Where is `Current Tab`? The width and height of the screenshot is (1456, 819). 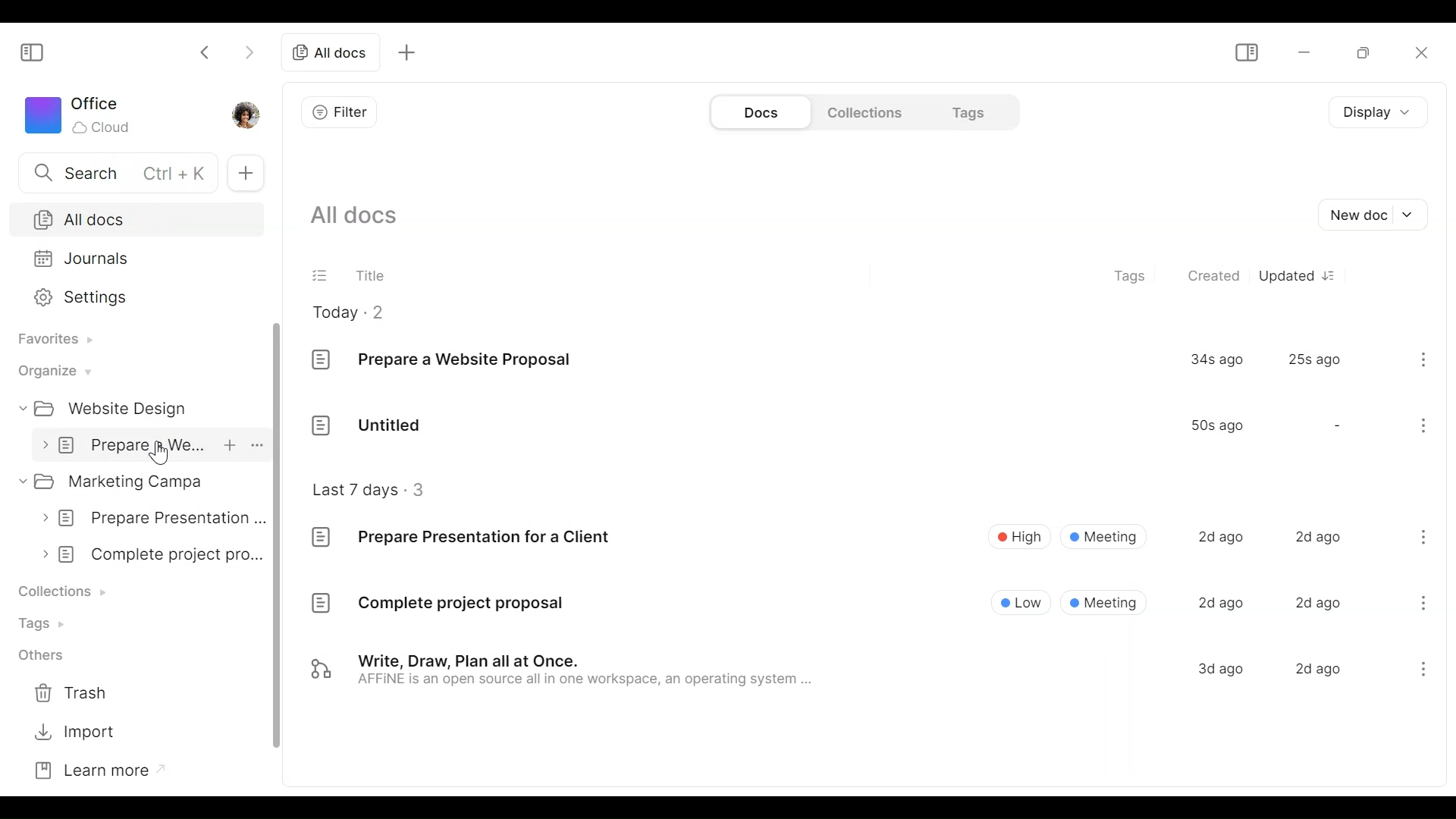
Current Tab is located at coordinates (334, 52).